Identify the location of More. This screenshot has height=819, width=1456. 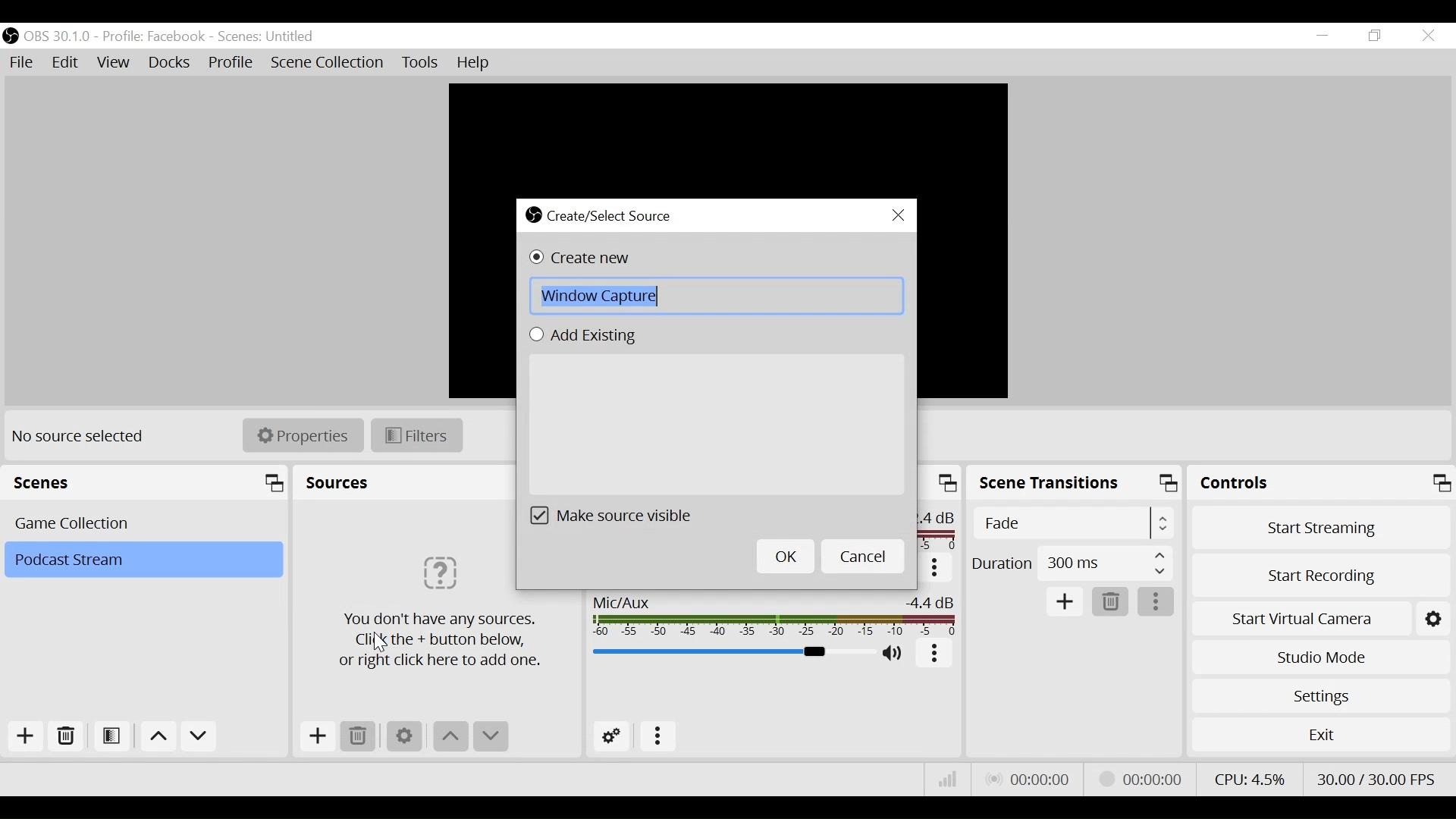
(933, 566).